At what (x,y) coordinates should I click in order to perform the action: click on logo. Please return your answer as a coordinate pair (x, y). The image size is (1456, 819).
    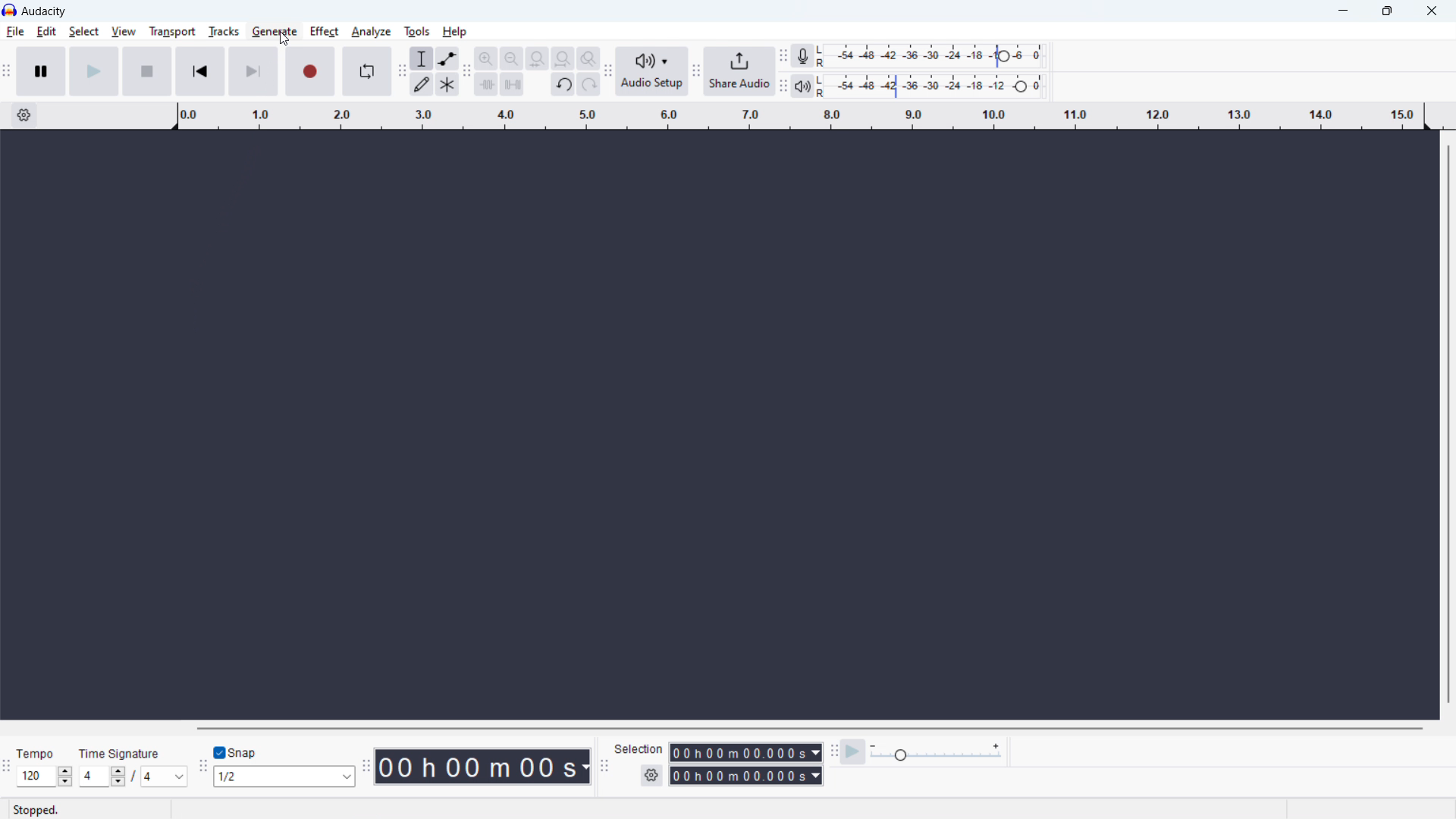
    Looking at the image, I should click on (9, 11).